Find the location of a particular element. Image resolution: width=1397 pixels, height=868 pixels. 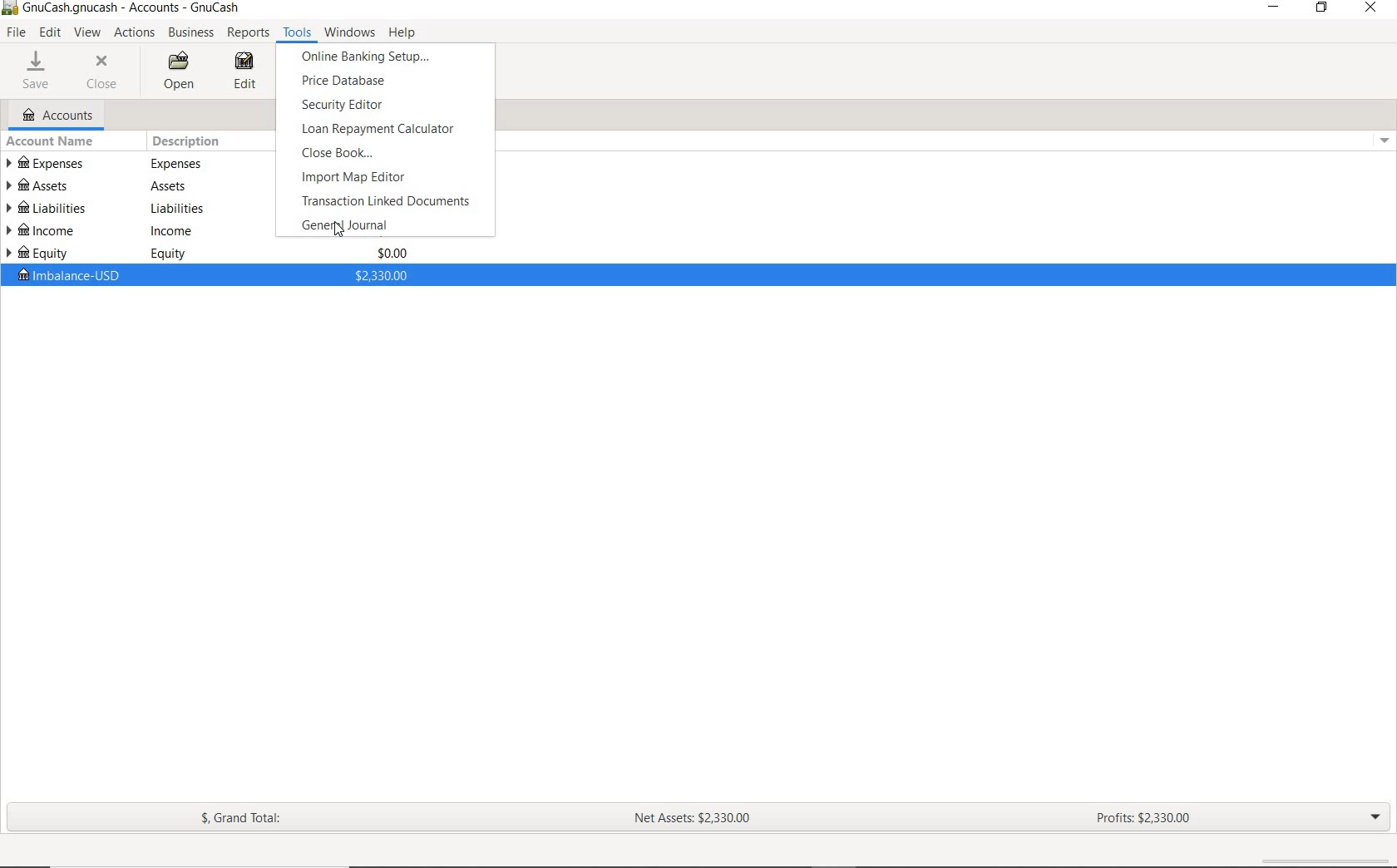

HELP is located at coordinates (405, 33).